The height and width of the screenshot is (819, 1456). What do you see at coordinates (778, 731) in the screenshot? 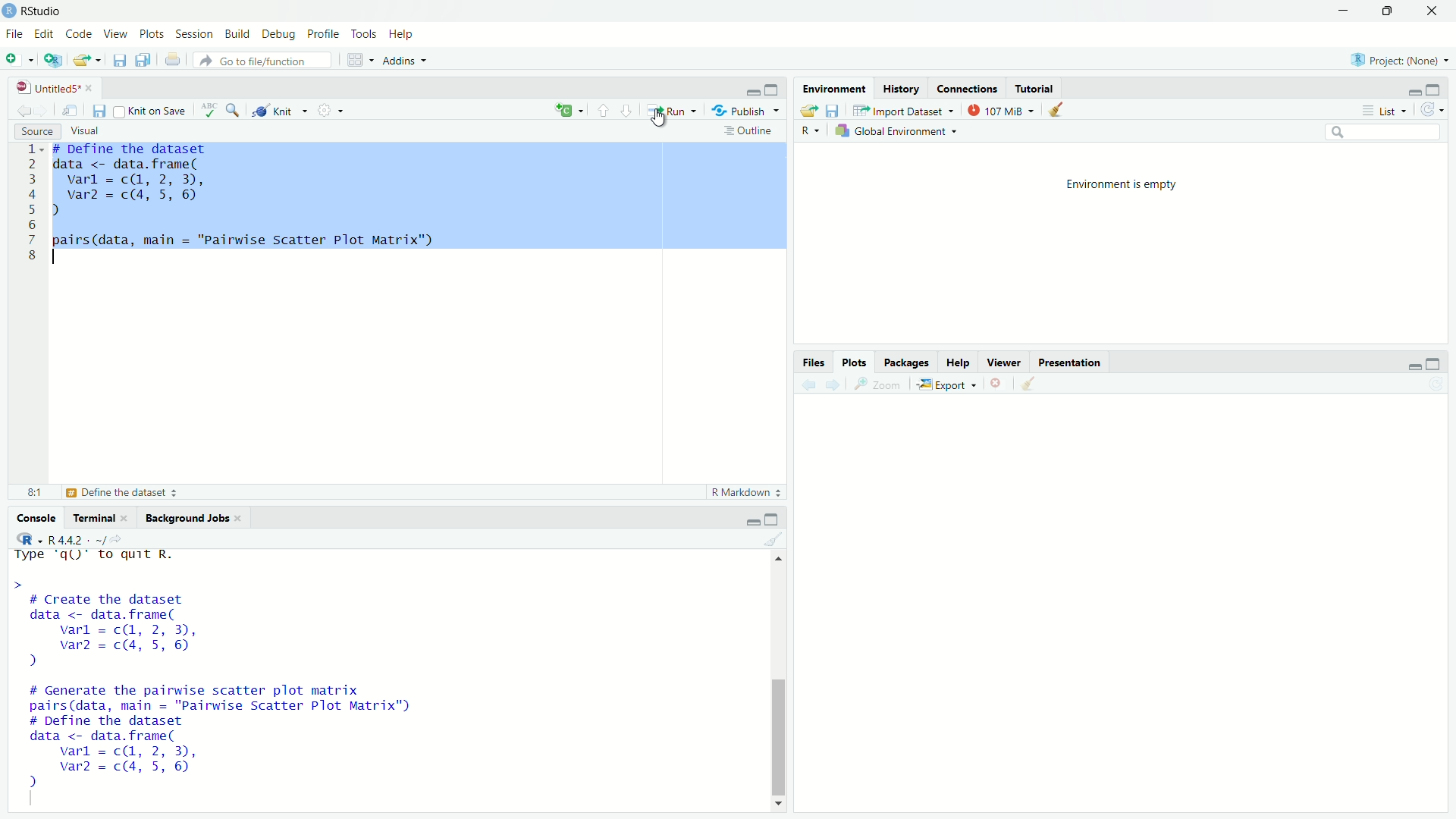
I see `Scrollbar` at bounding box center [778, 731].